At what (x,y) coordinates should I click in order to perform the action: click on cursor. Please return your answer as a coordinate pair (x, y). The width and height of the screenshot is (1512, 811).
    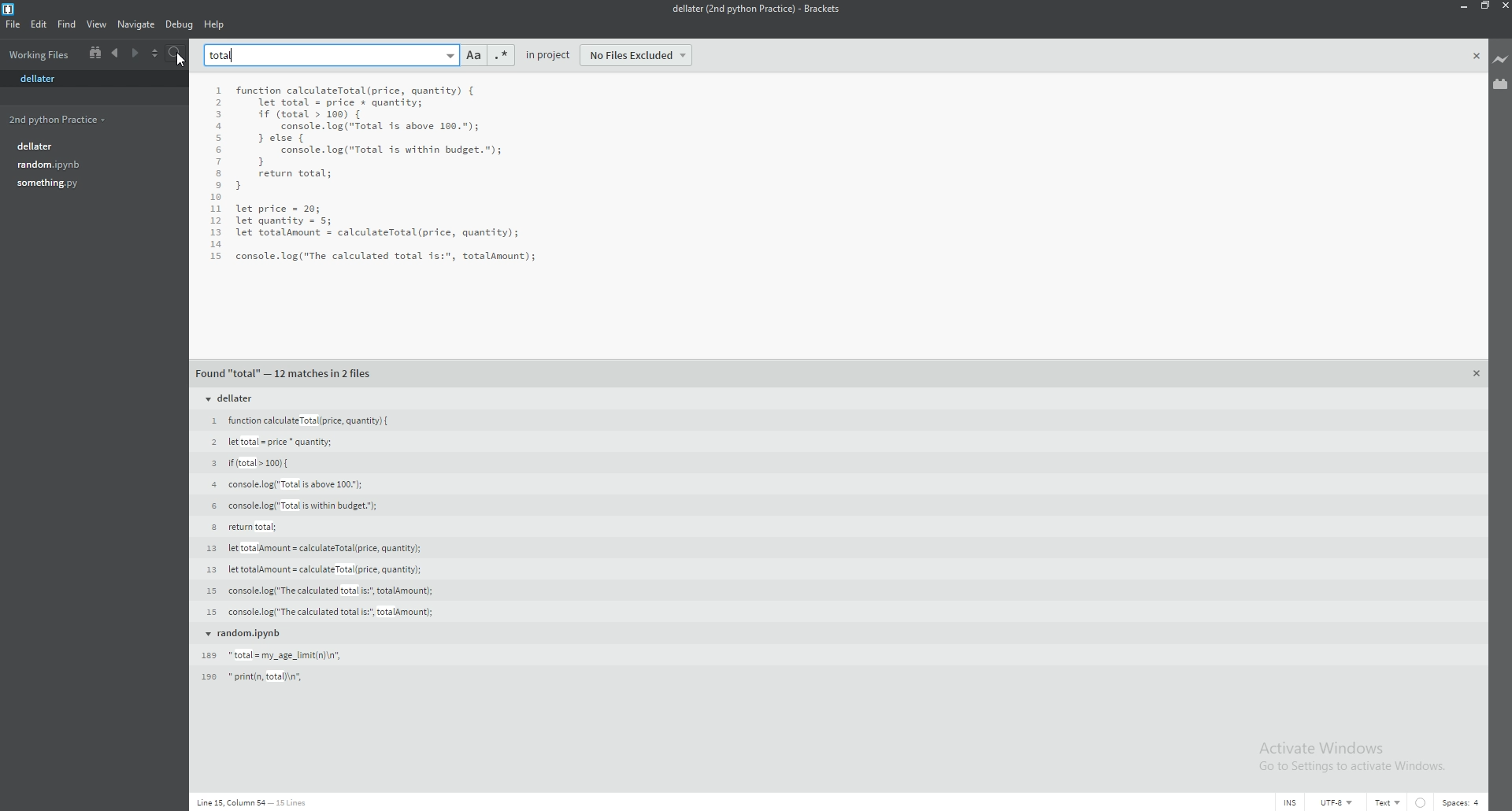
    Looking at the image, I should click on (183, 59).